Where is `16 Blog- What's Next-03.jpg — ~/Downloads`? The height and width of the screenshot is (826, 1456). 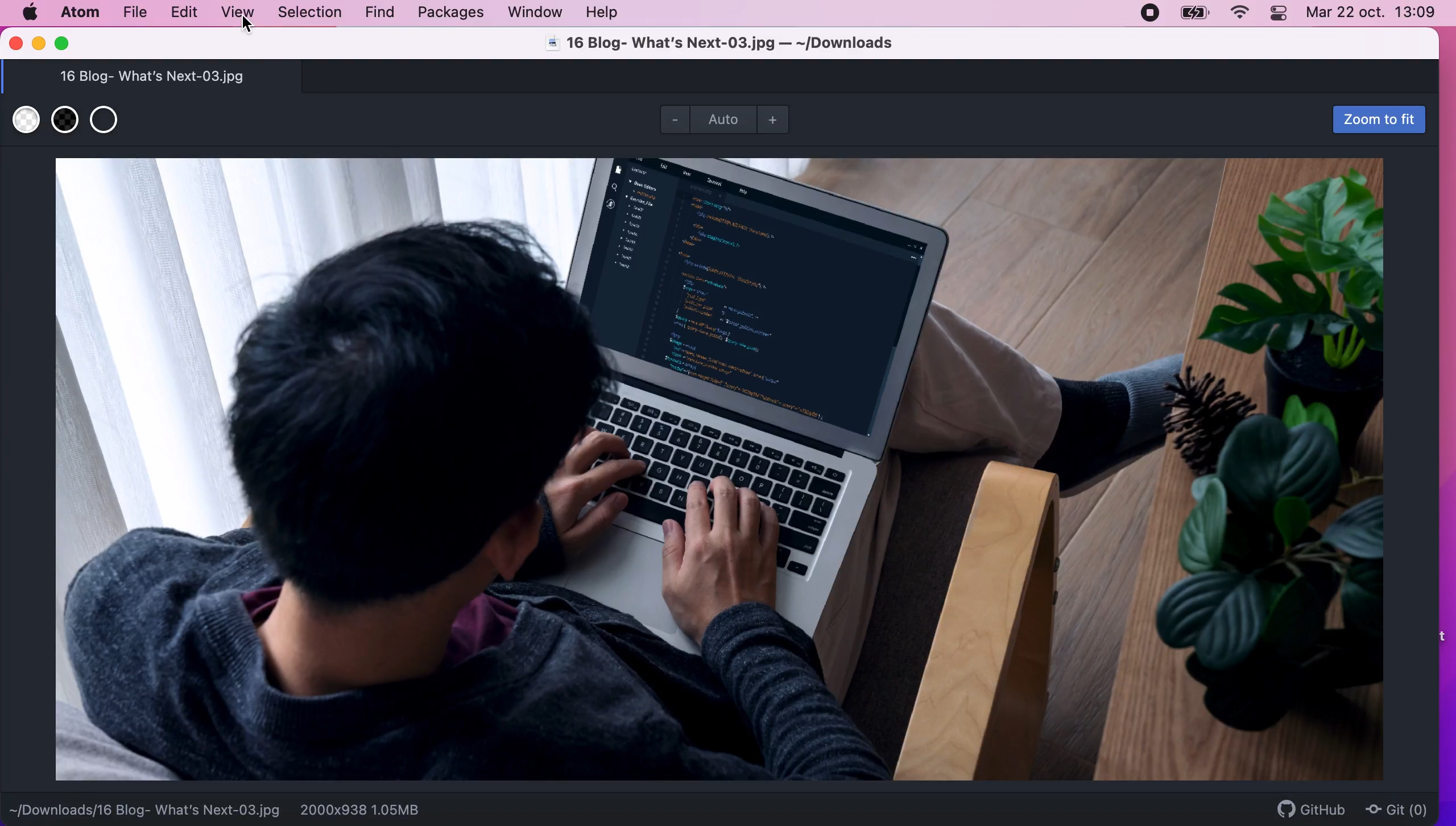 16 Blog- What's Next-03.jpg — ~/Downloads is located at coordinates (719, 43).